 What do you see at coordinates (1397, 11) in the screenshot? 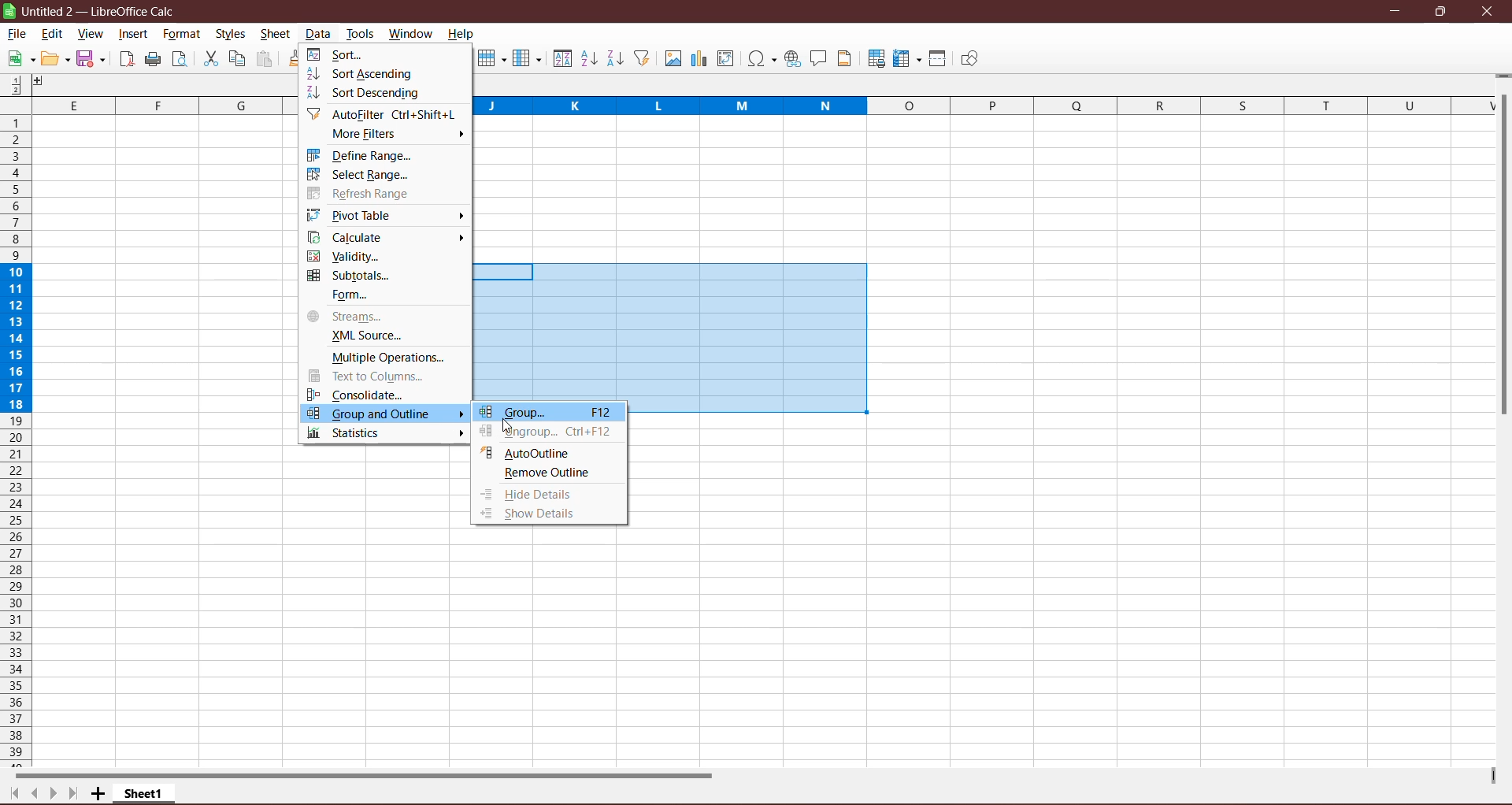
I see `Minimize` at bounding box center [1397, 11].